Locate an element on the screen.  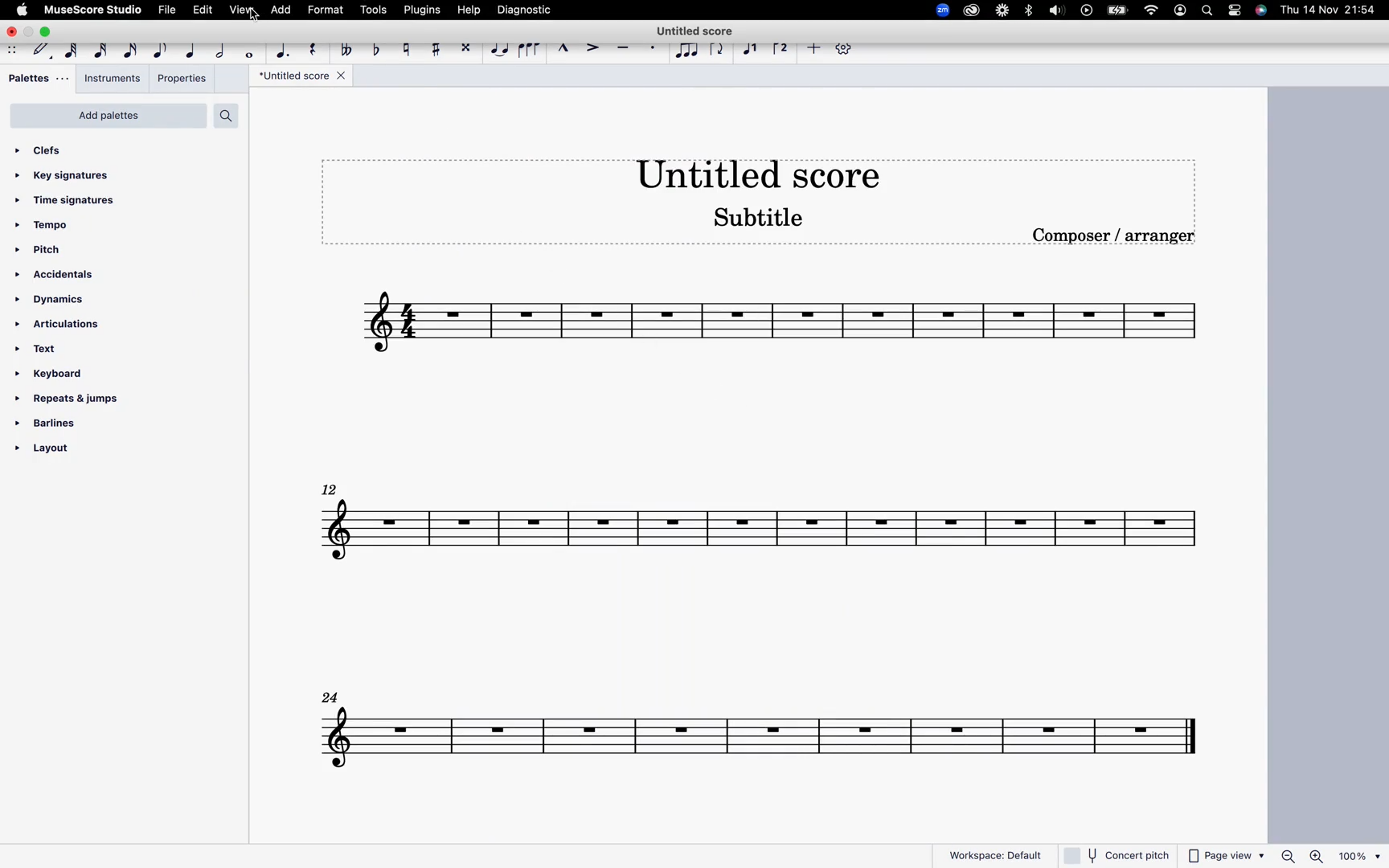
maximize is located at coordinates (47, 32).